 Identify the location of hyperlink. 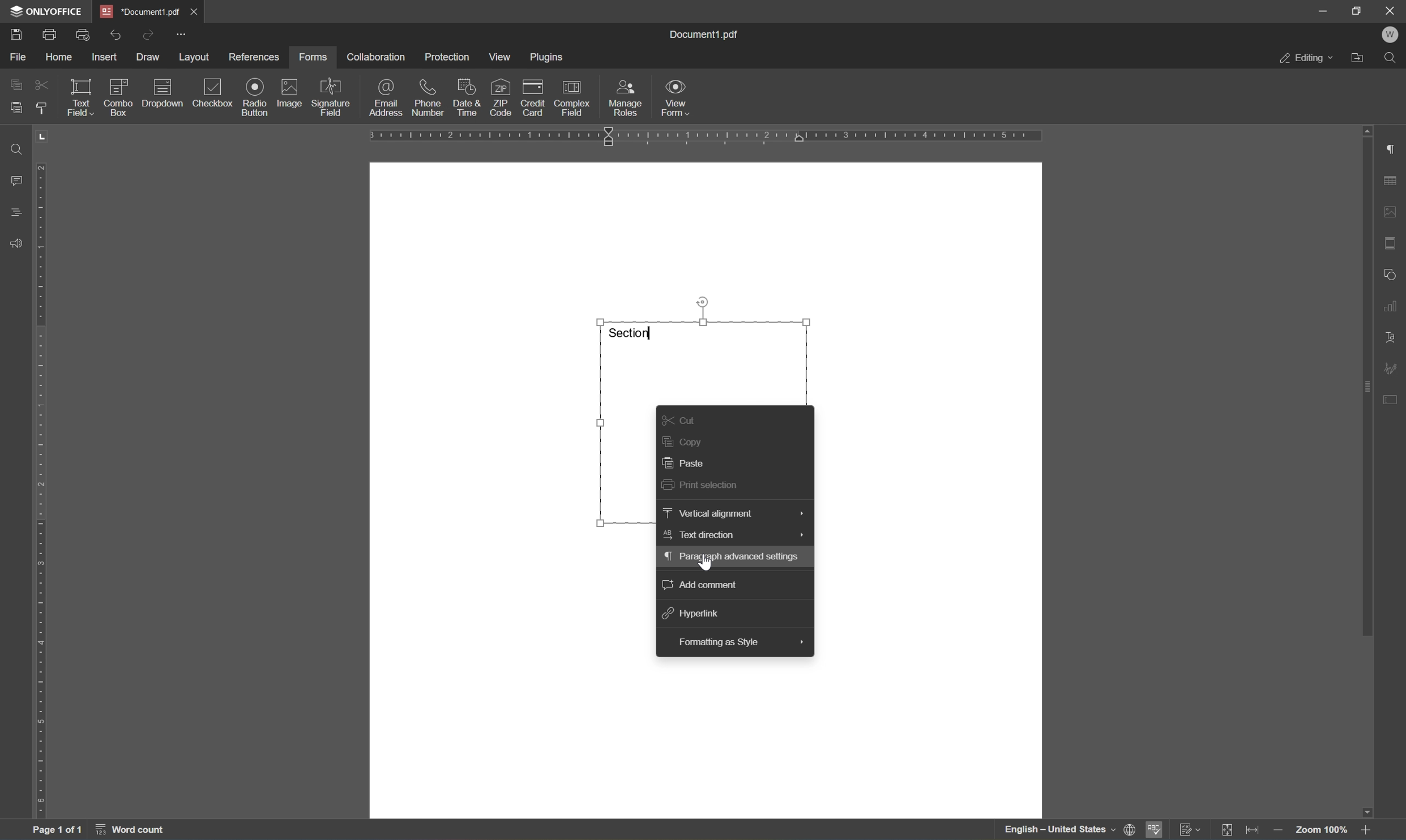
(694, 613).